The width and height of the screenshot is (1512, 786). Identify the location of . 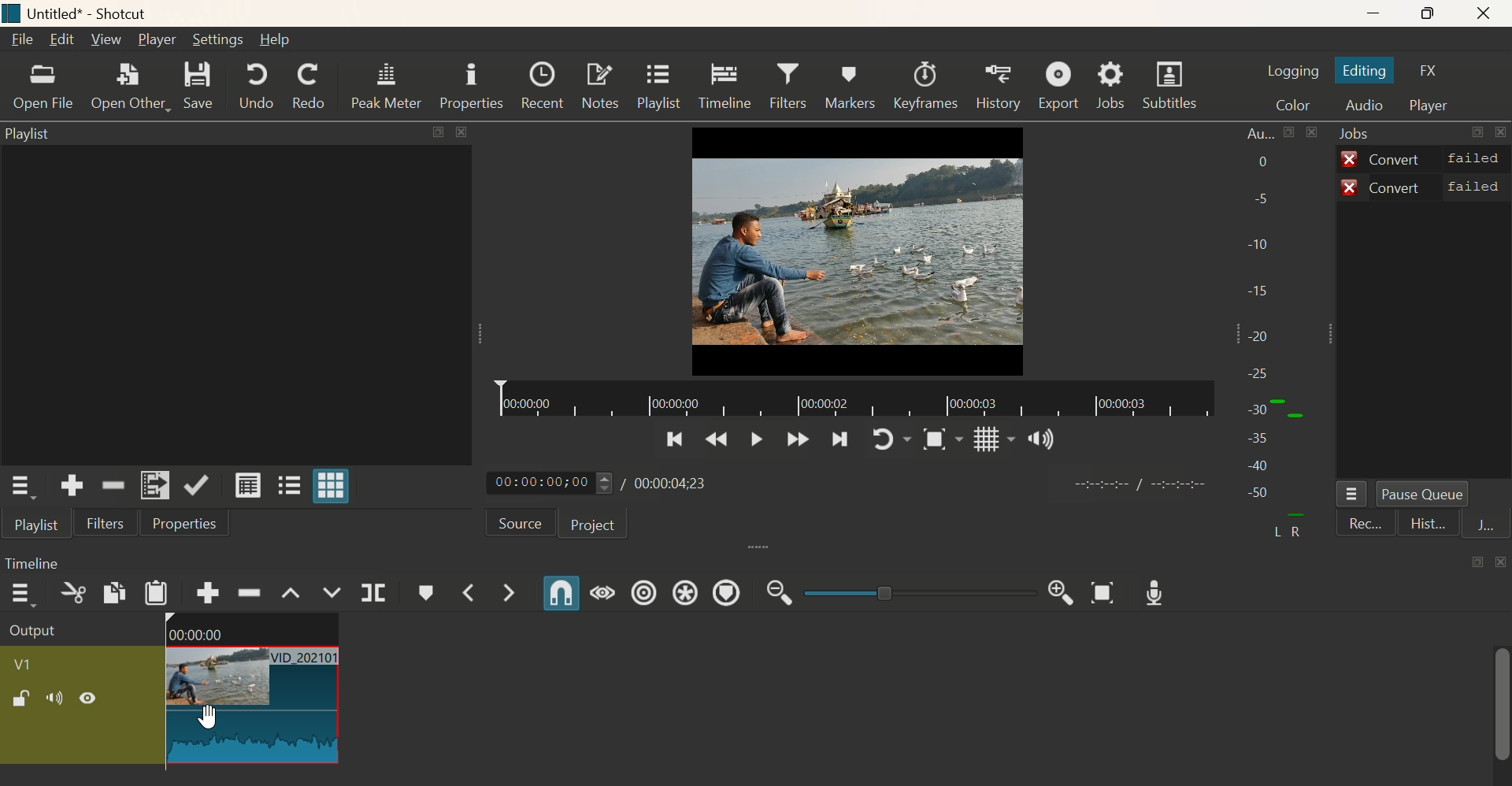
(603, 595).